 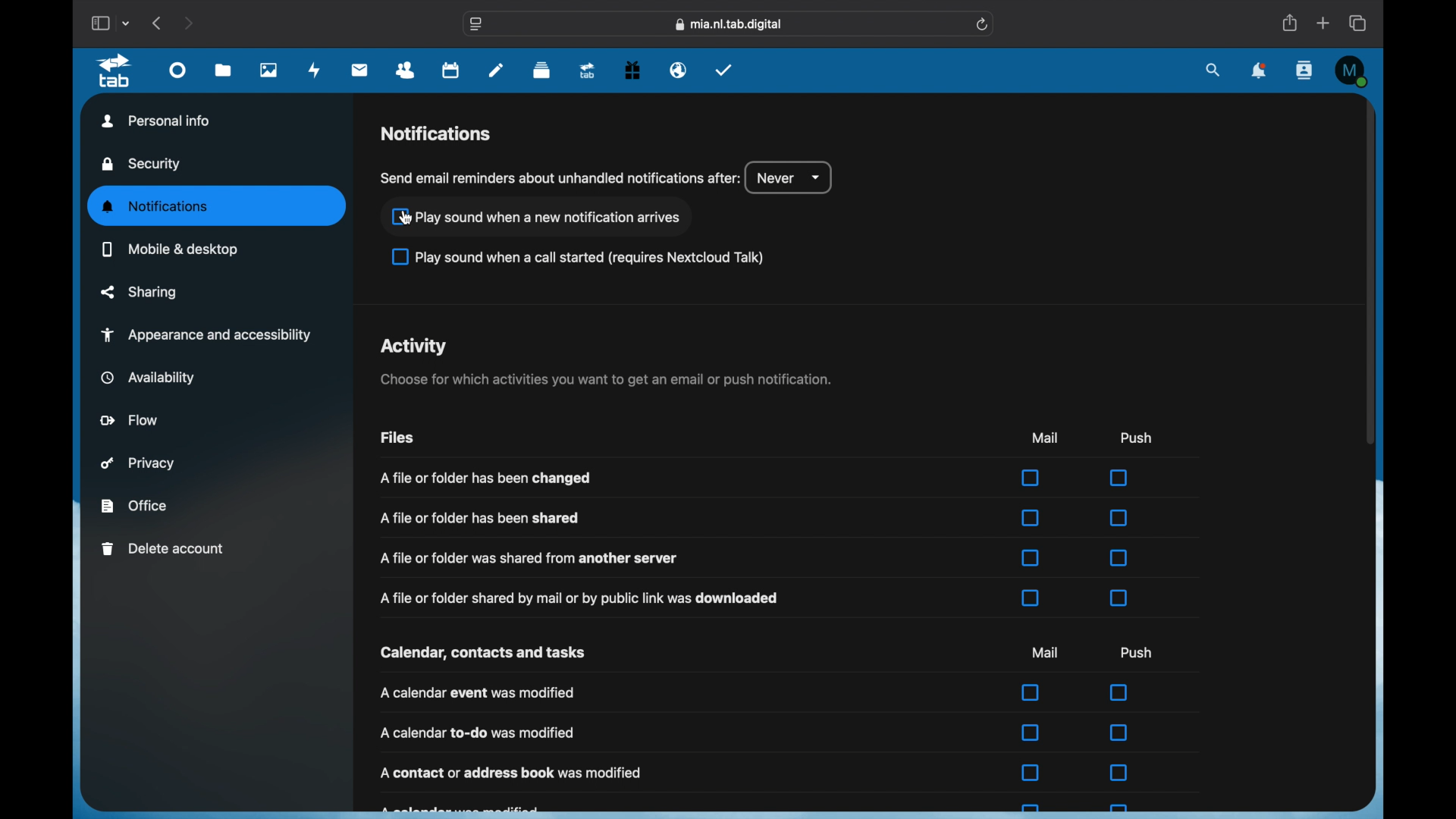 What do you see at coordinates (560, 177) in the screenshot?
I see `info` at bounding box center [560, 177].